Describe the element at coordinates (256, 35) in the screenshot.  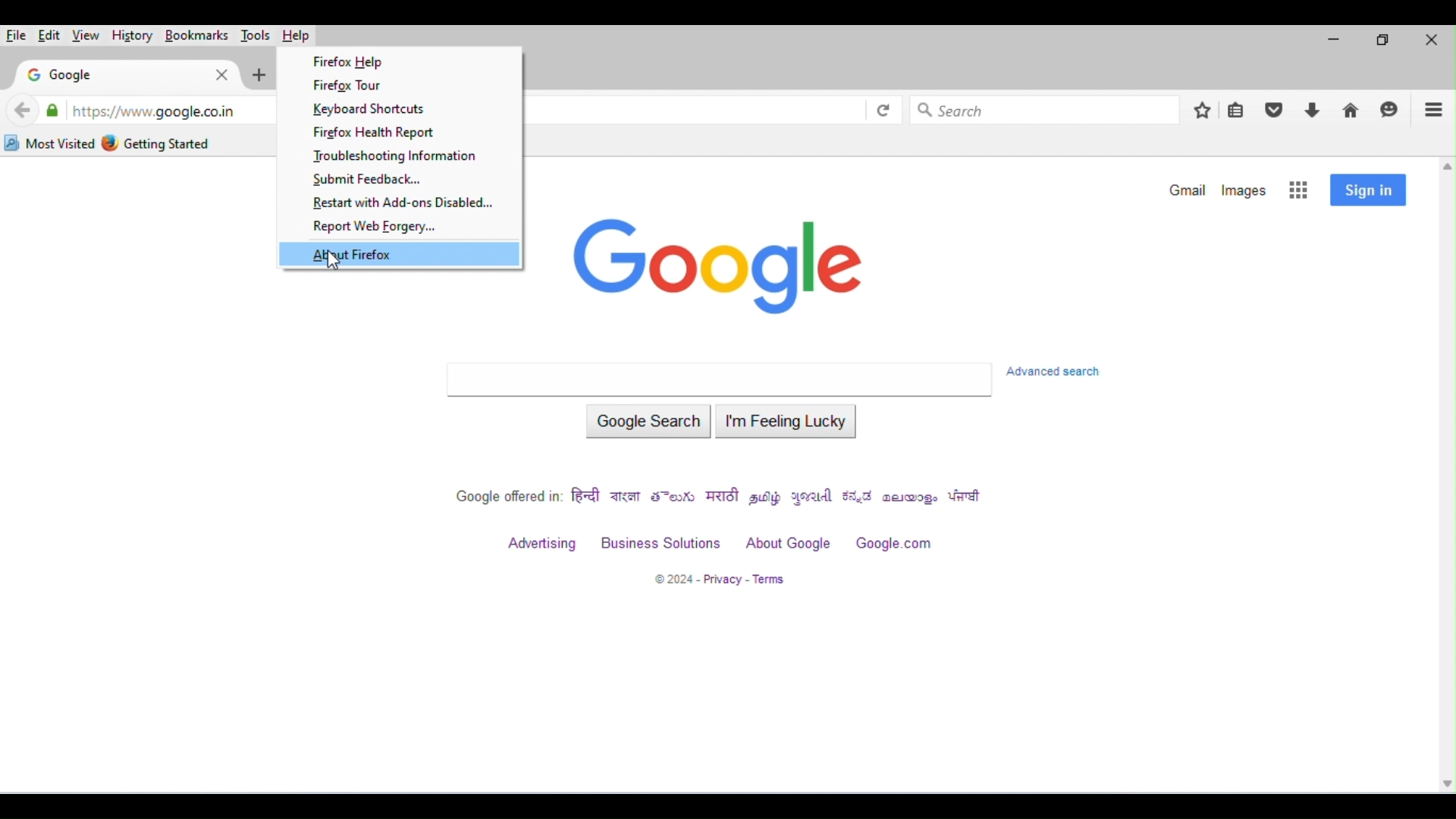
I see `tools` at that location.